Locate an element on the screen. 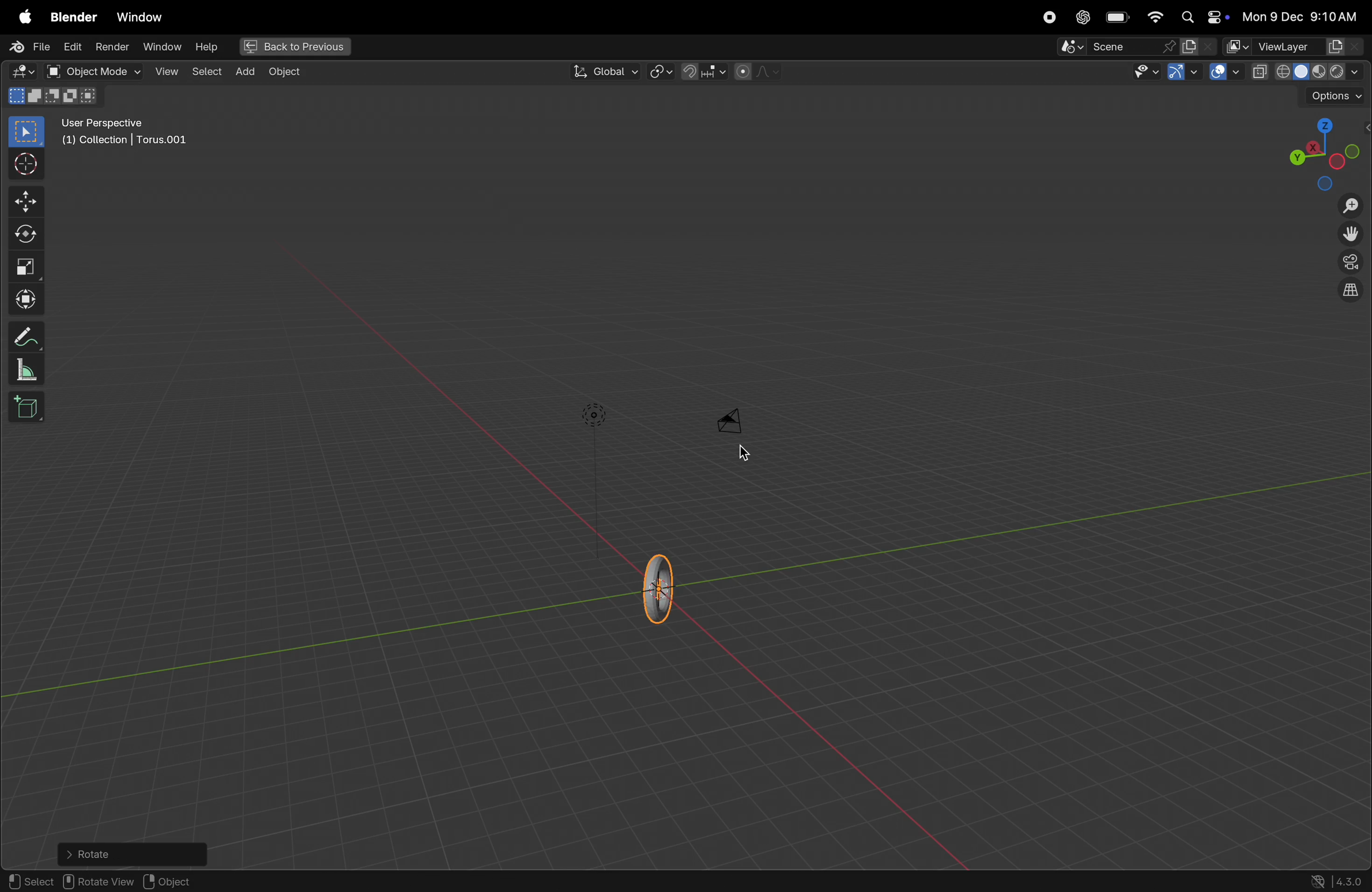  annotate is located at coordinates (28, 334).